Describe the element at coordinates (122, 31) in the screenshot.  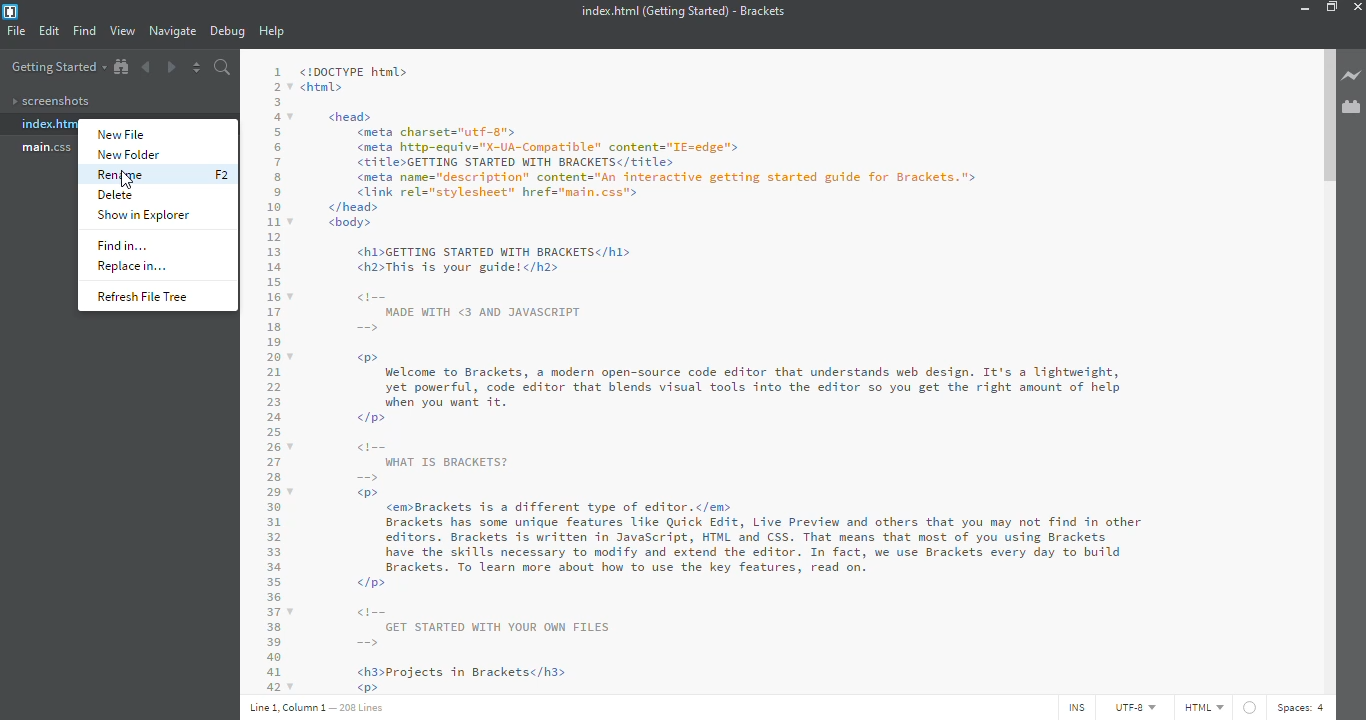
I see `view` at that location.